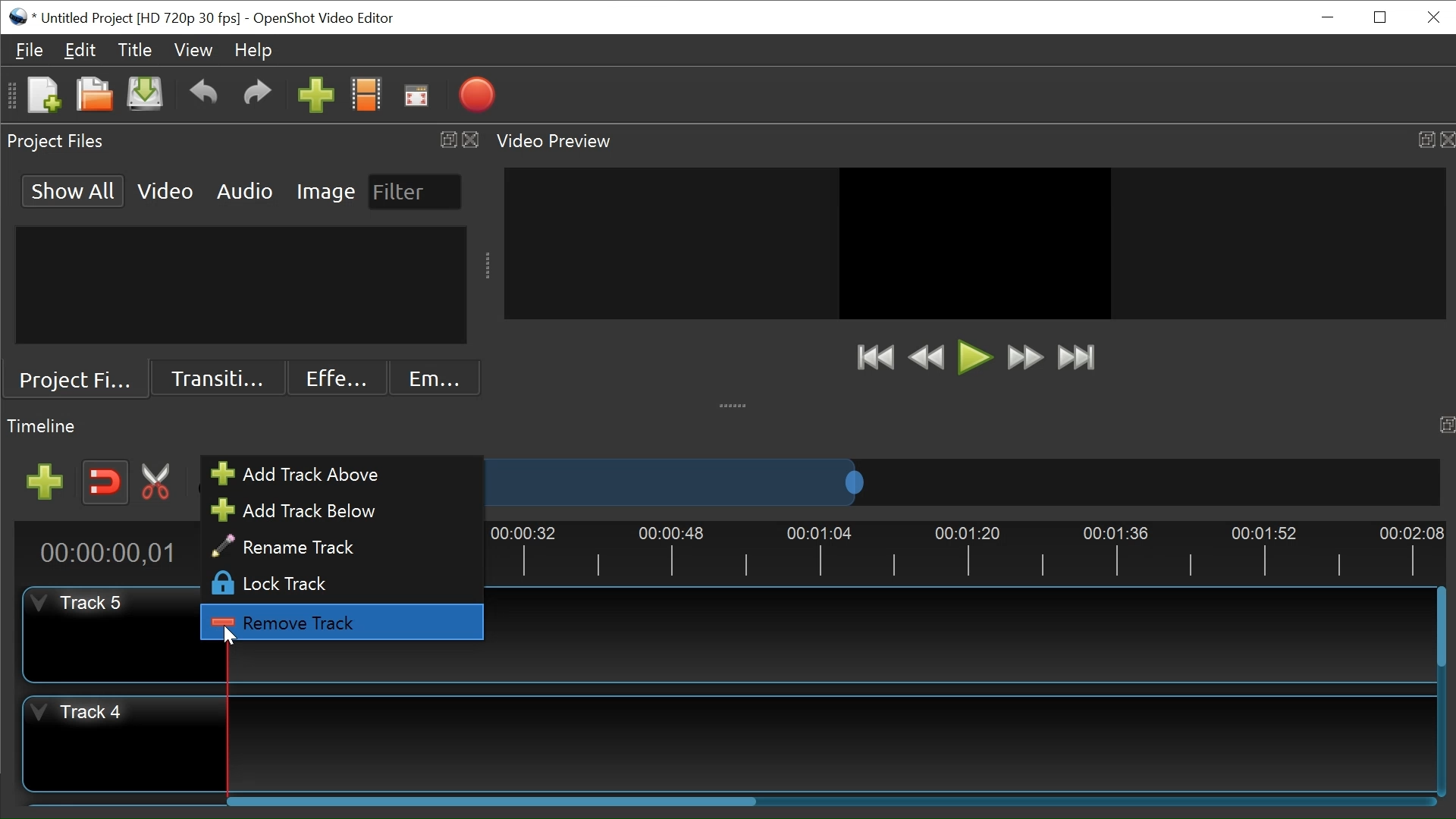 This screenshot has height=819, width=1456. What do you see at coordinates (415, 96) in the screenshot?
I see `Fullscreen` at bounding box center [415, 96].